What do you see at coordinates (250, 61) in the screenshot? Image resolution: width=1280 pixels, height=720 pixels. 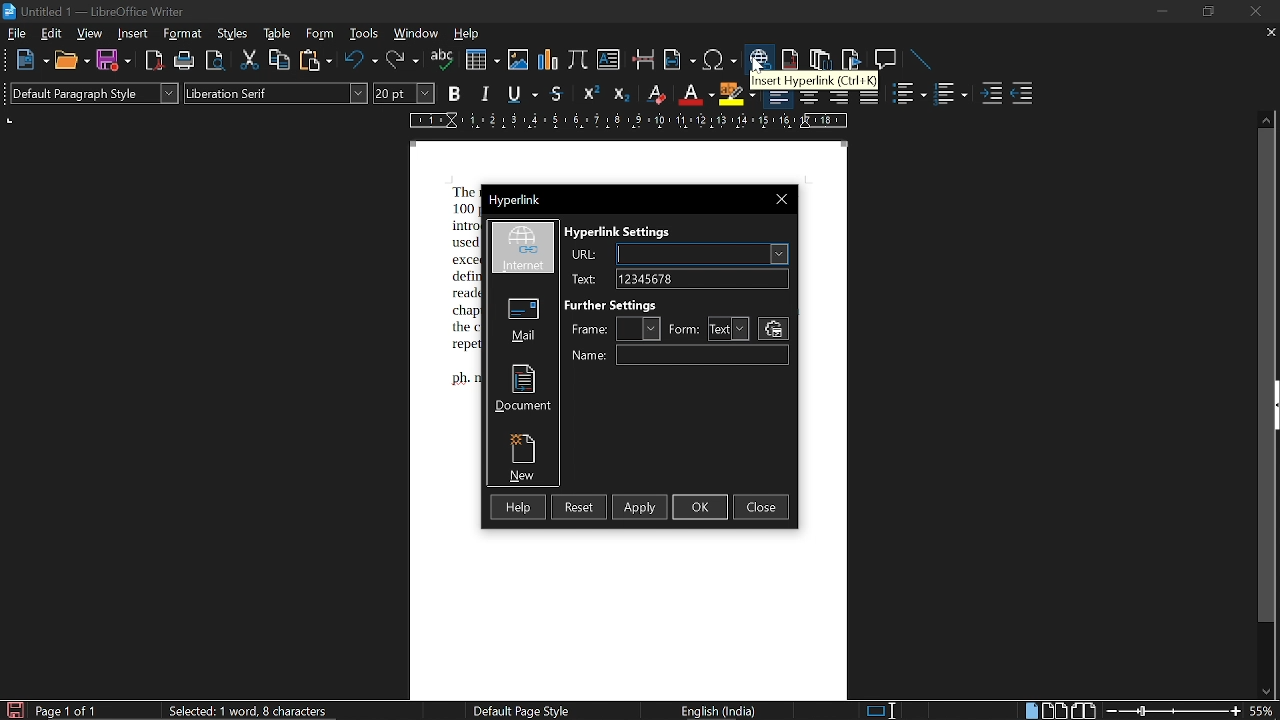 I see `cut` at bounding box center [250, 61].